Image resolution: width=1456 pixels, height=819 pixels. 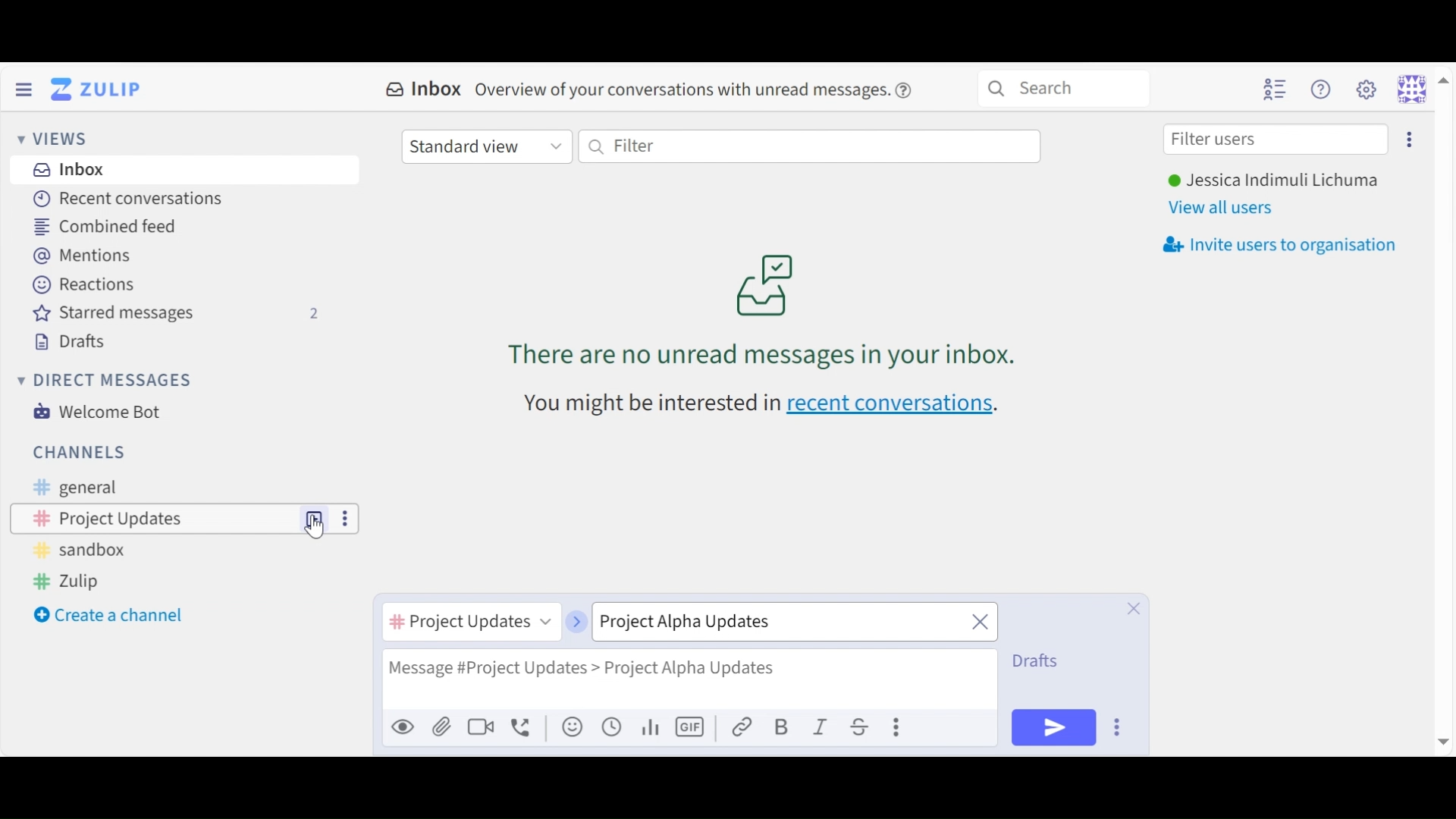 I want to click on Message, so click(x=691, y=678).